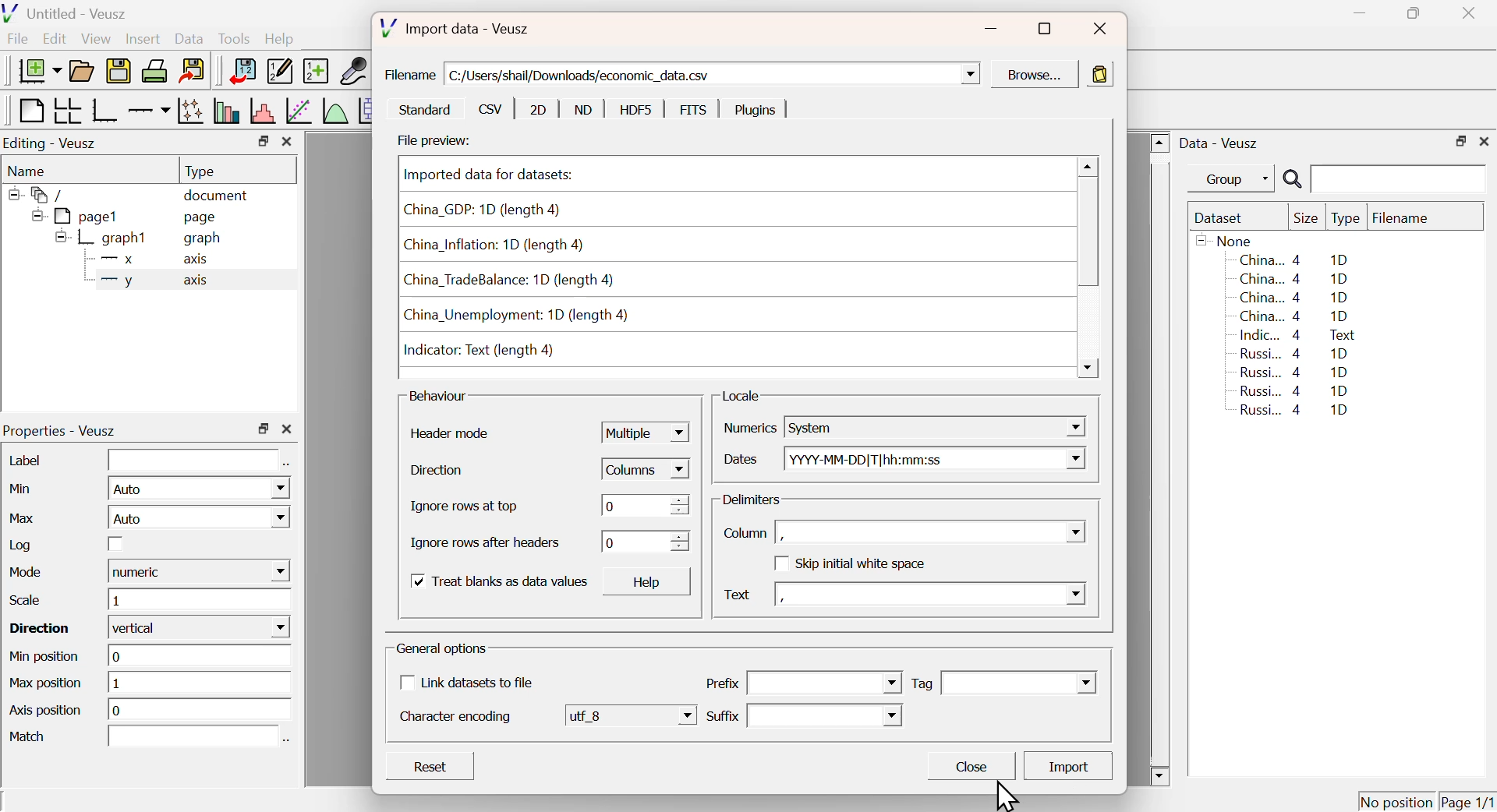 The width and height of the screenshot is (1497, 812). Describe the element at coordinates (721, 683) in the screenshot. I see `Prefix` at that location.